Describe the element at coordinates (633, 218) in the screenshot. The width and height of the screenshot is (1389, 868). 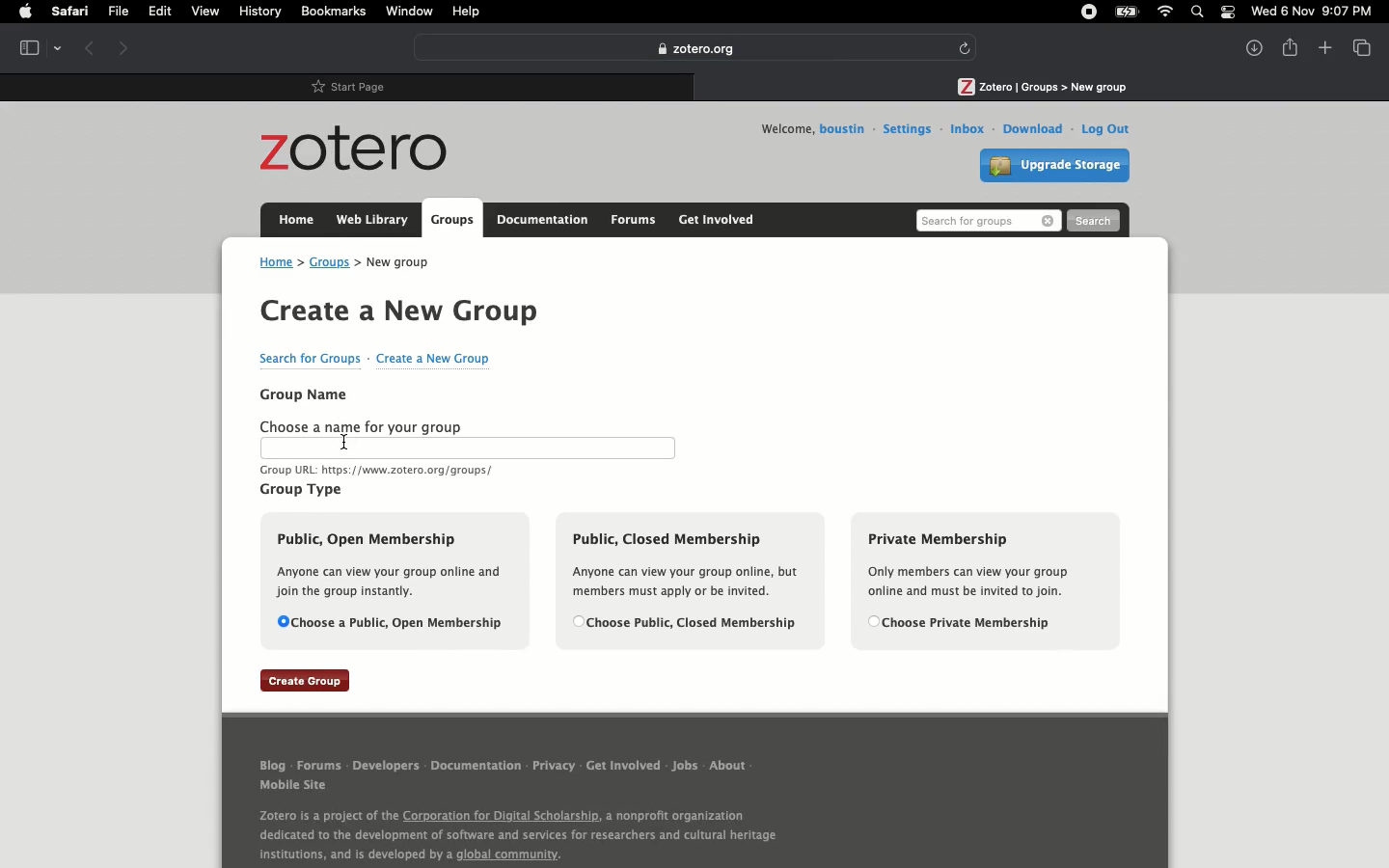
I see `Forums` at that location.